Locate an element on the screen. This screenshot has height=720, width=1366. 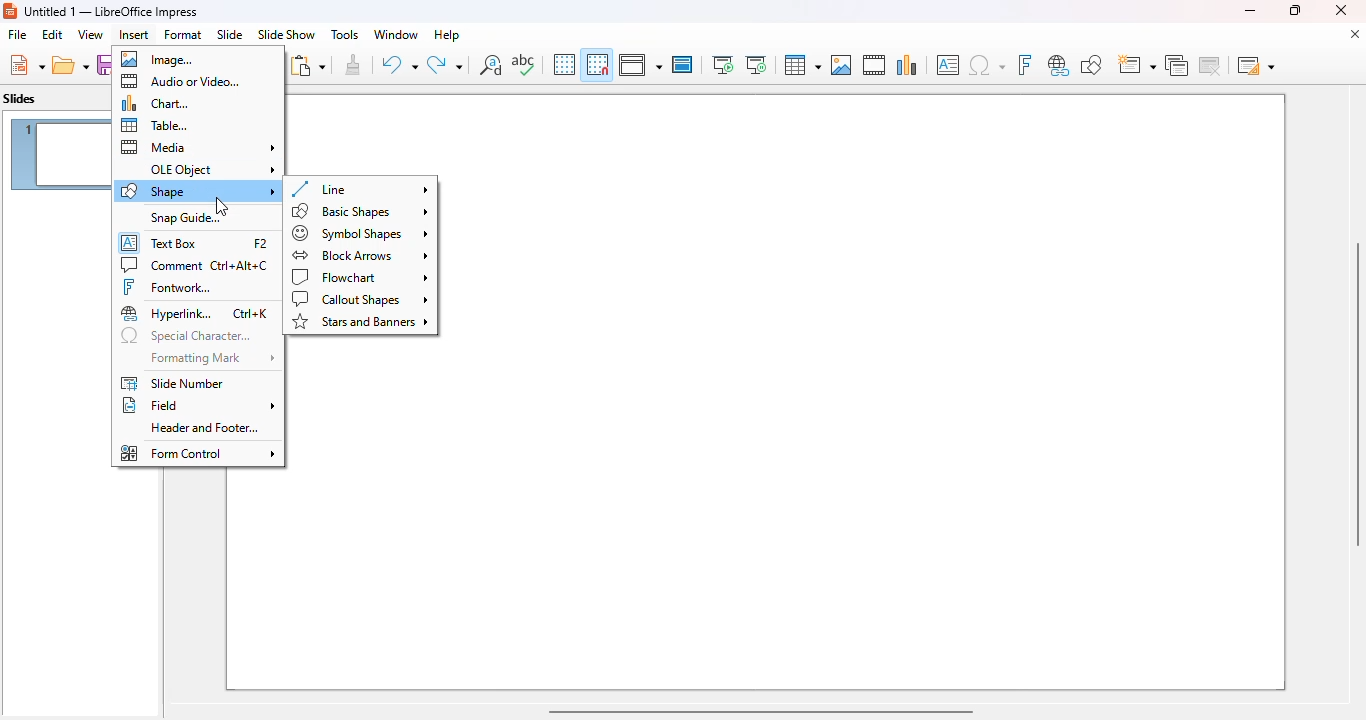
symbol shapes is located at coordinates (361, 233).